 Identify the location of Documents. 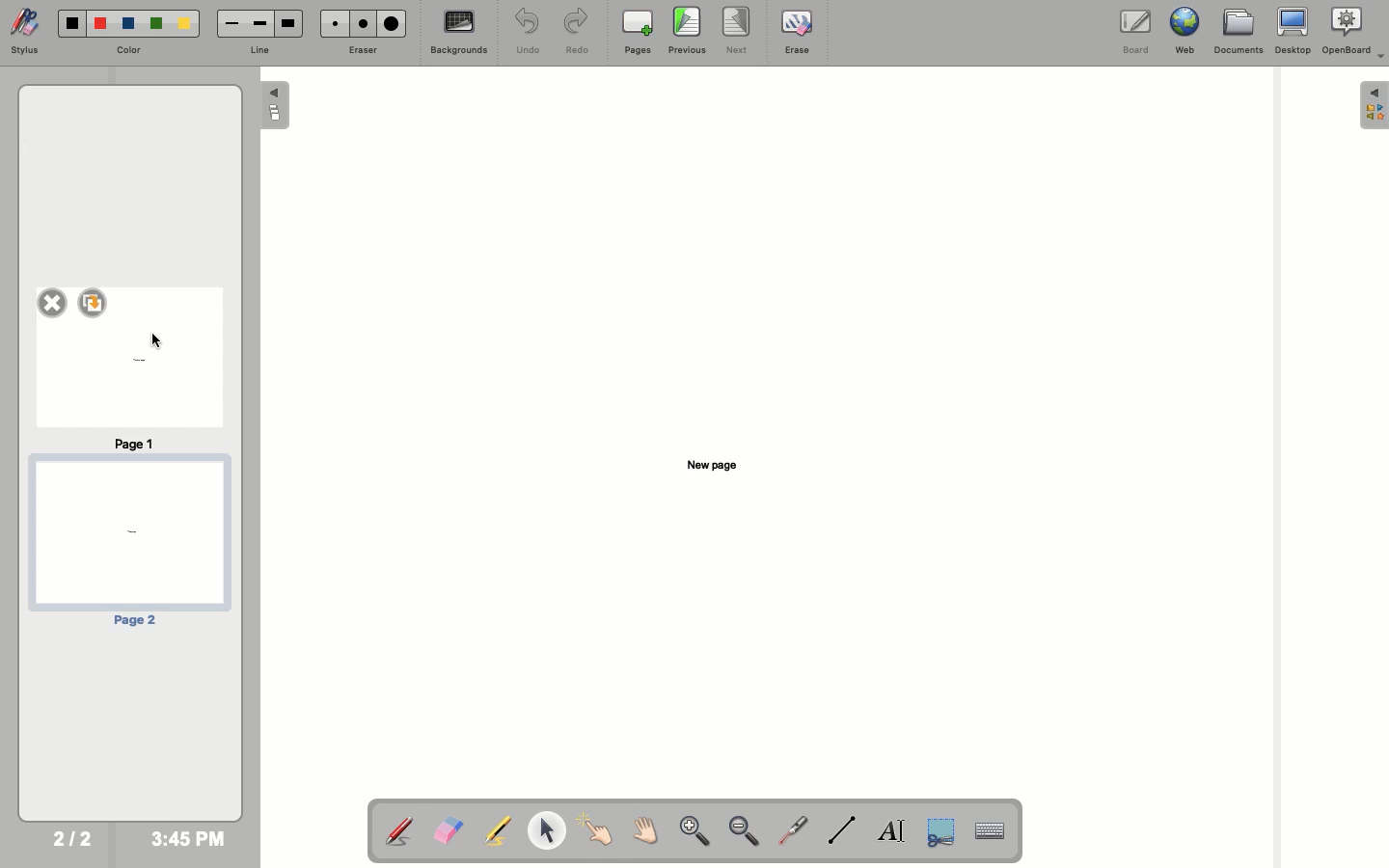
(1237, 32).